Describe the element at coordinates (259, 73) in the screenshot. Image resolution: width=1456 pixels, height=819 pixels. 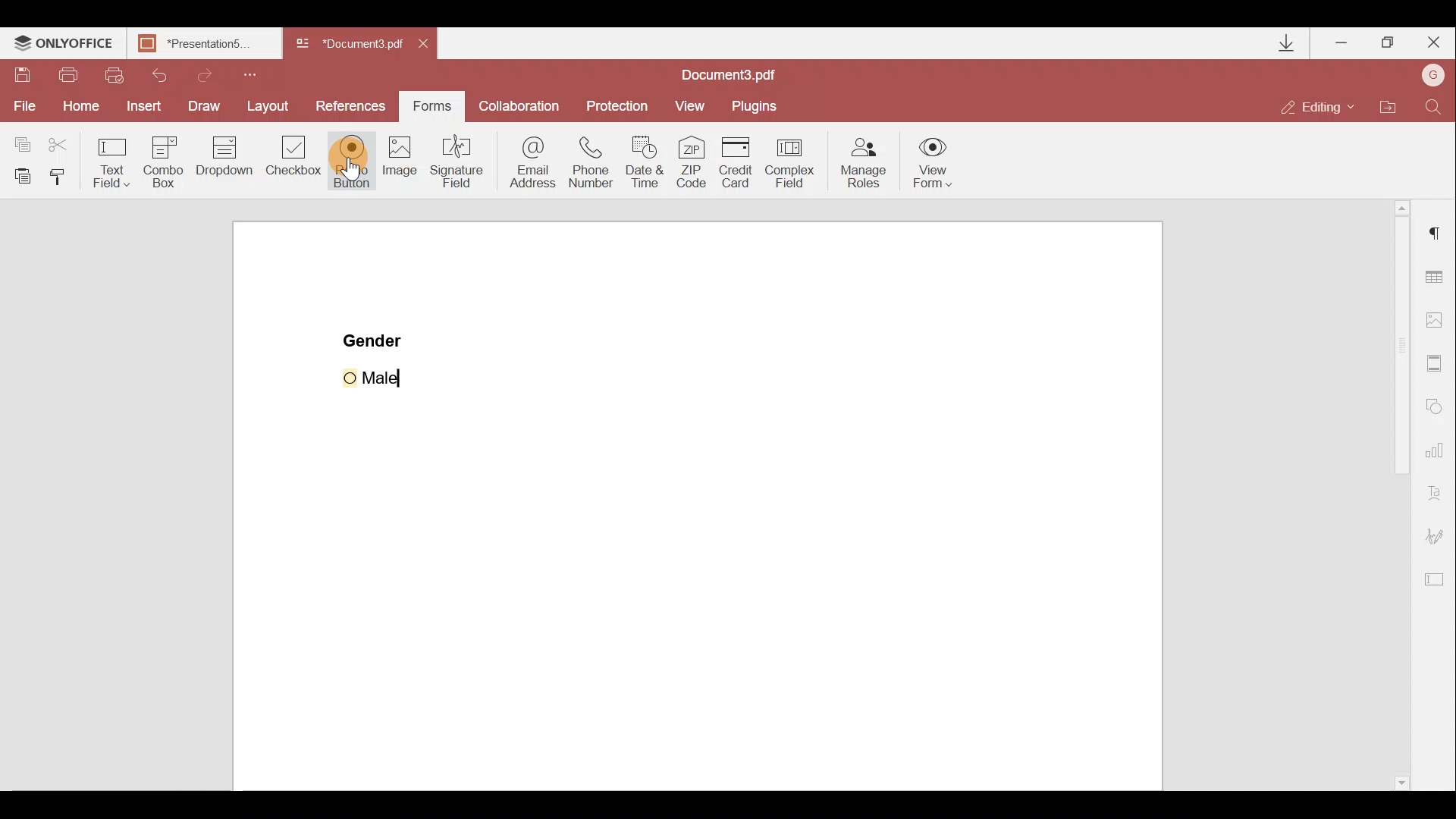
I see `Customize quick access toolbar` at that location.